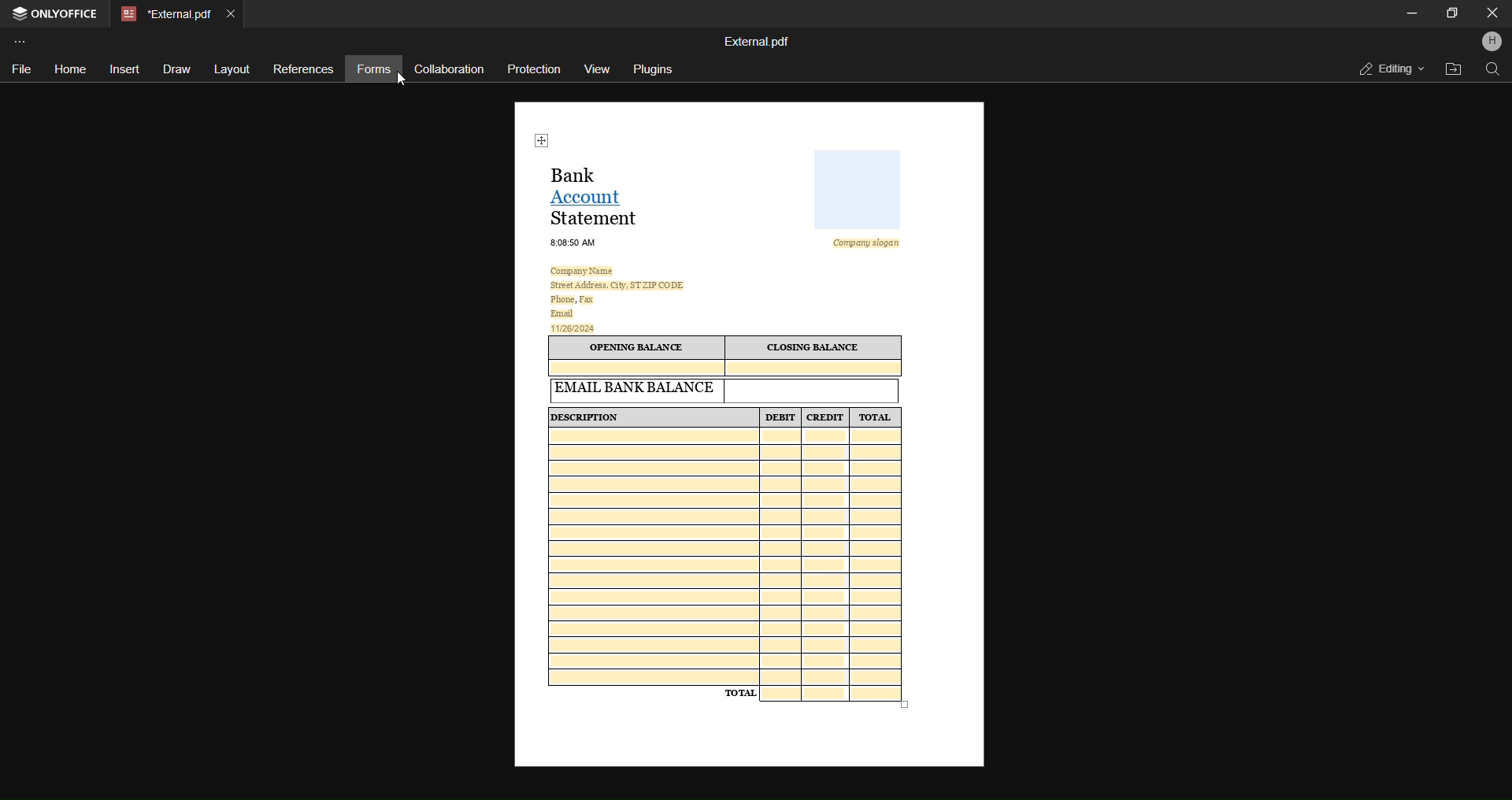 Image resolution: width=1512 pixels, height=800 pixels. Describe the element at coordinates (1450, 70) in the screenshot. I see `open file location` at that location.